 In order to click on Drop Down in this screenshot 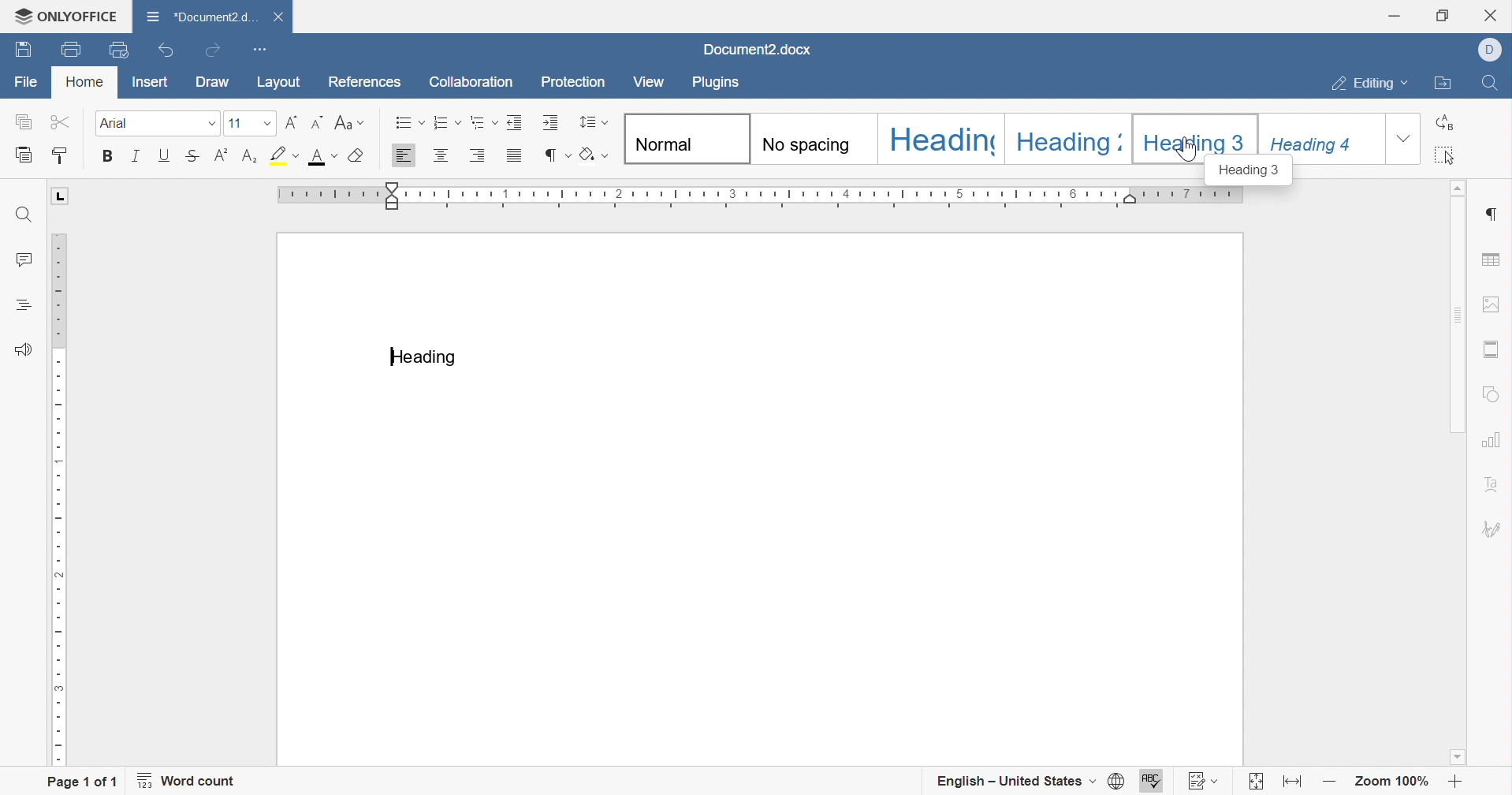, I will do `click(205, 124)`.